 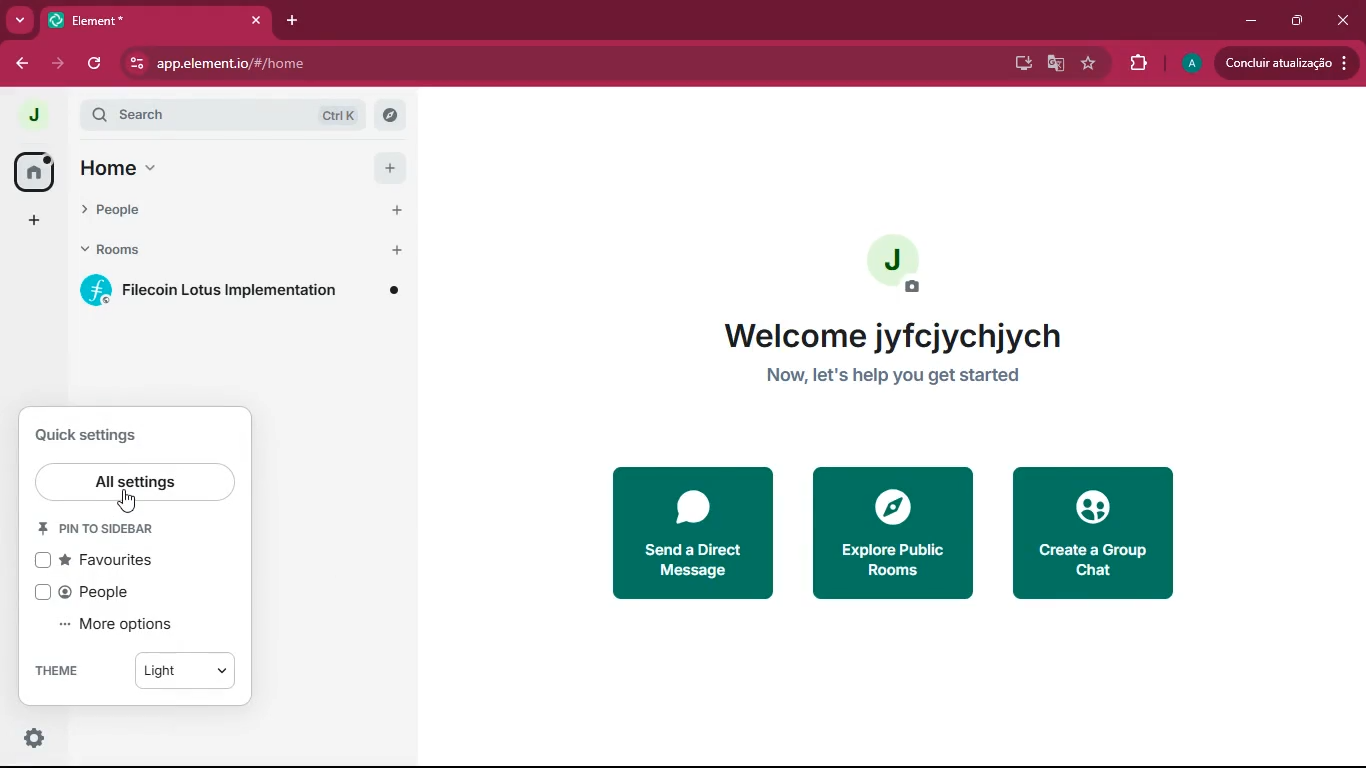 What do you see at coordinates (21, 19) in the screenshot?
I see `more` at bounding box center [21, 19].